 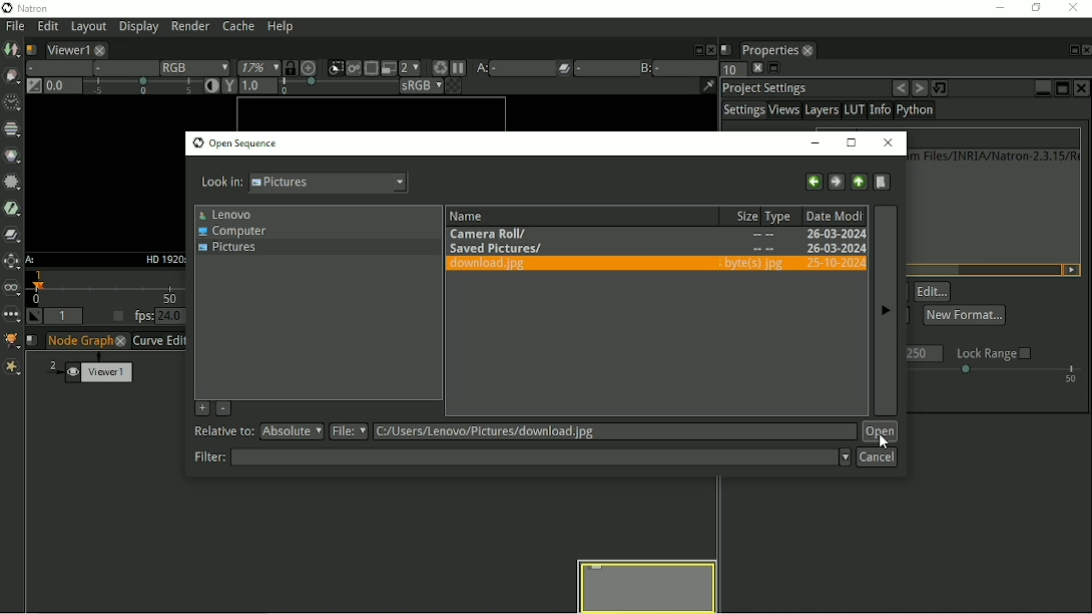 What do you see at coordinates (918, 112) in the screenshot?
I see `Python` at bounding box center [918, 112].